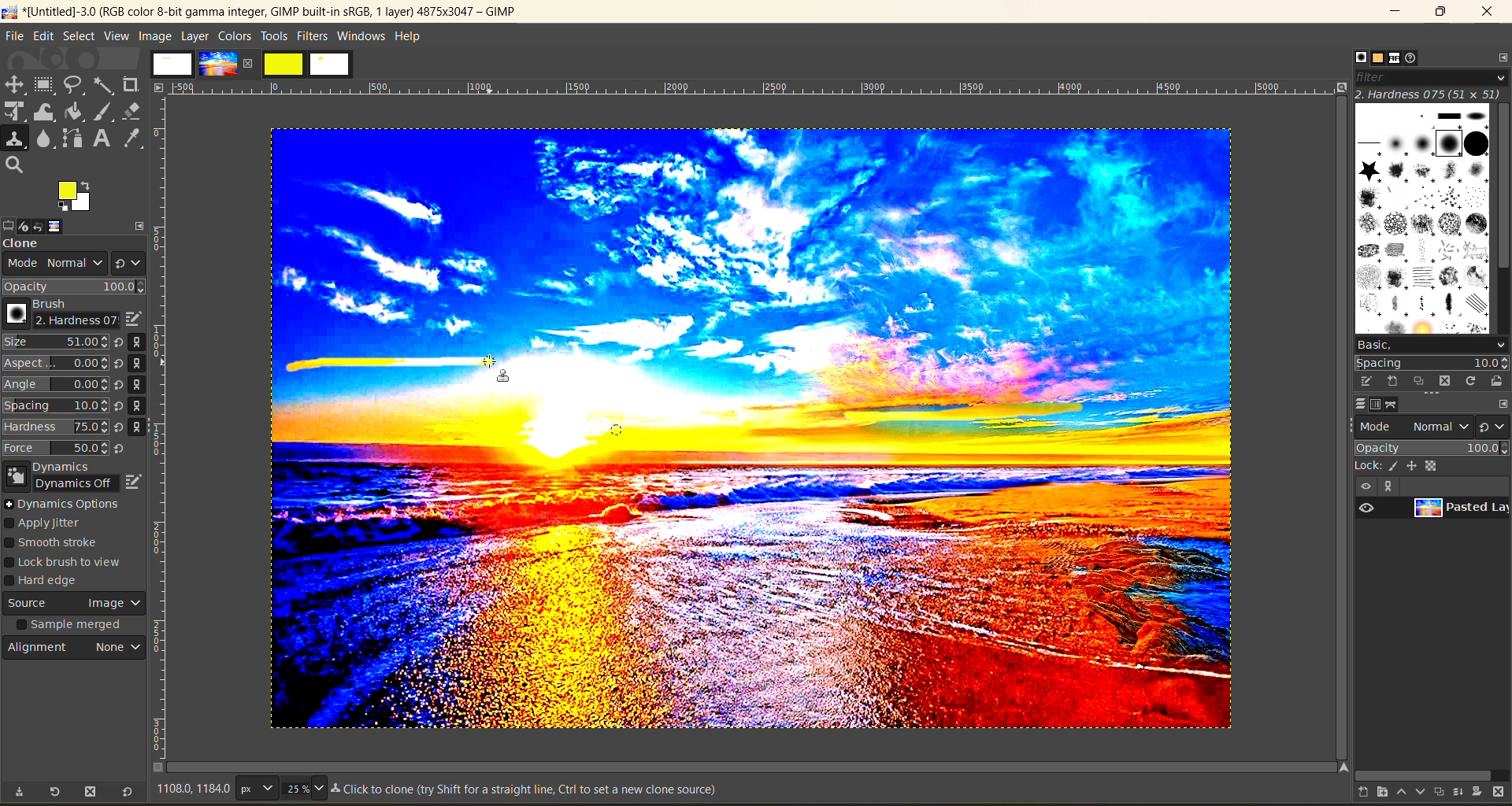 The image size is (1512, 806). Describe the element at coordinates (79, 113) in the screenshot. I see `paint bucket ` at that location.